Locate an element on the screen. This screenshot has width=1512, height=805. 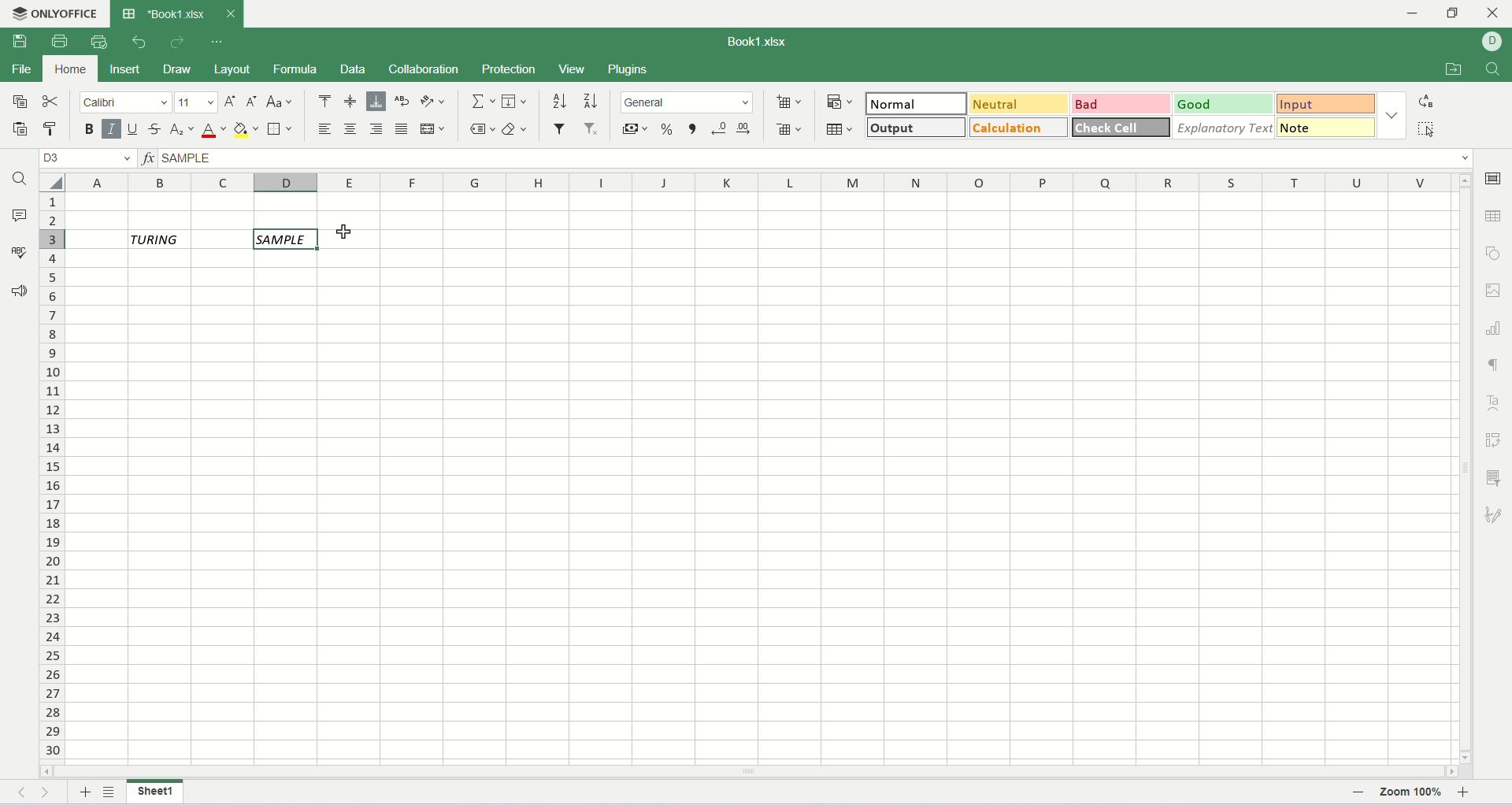
format options is located at coordinates (1393, 118).